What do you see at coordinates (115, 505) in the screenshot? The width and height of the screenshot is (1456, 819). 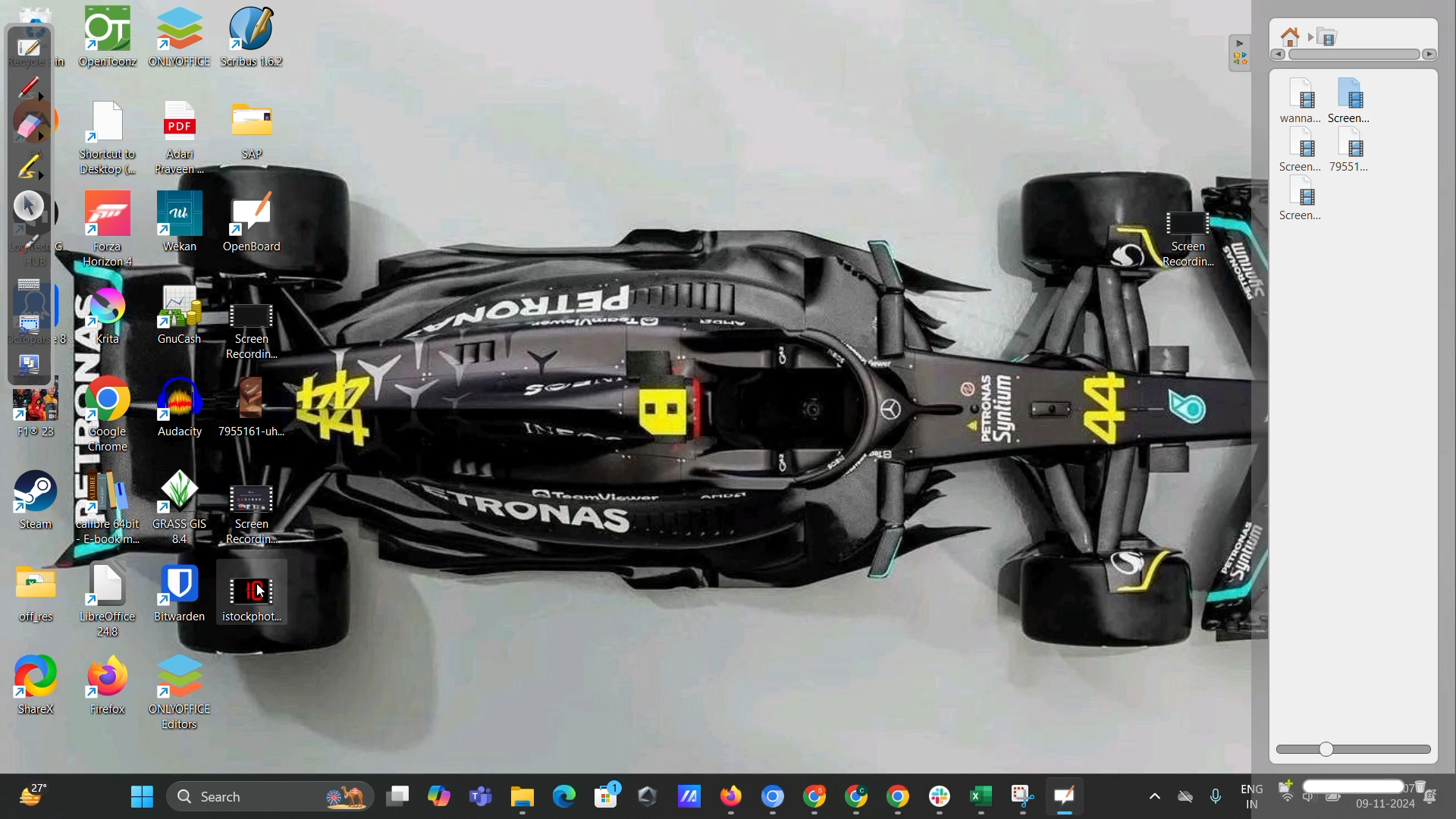 I see `Calibre 64 bit E-book m...` at bounding box center [115, 505].